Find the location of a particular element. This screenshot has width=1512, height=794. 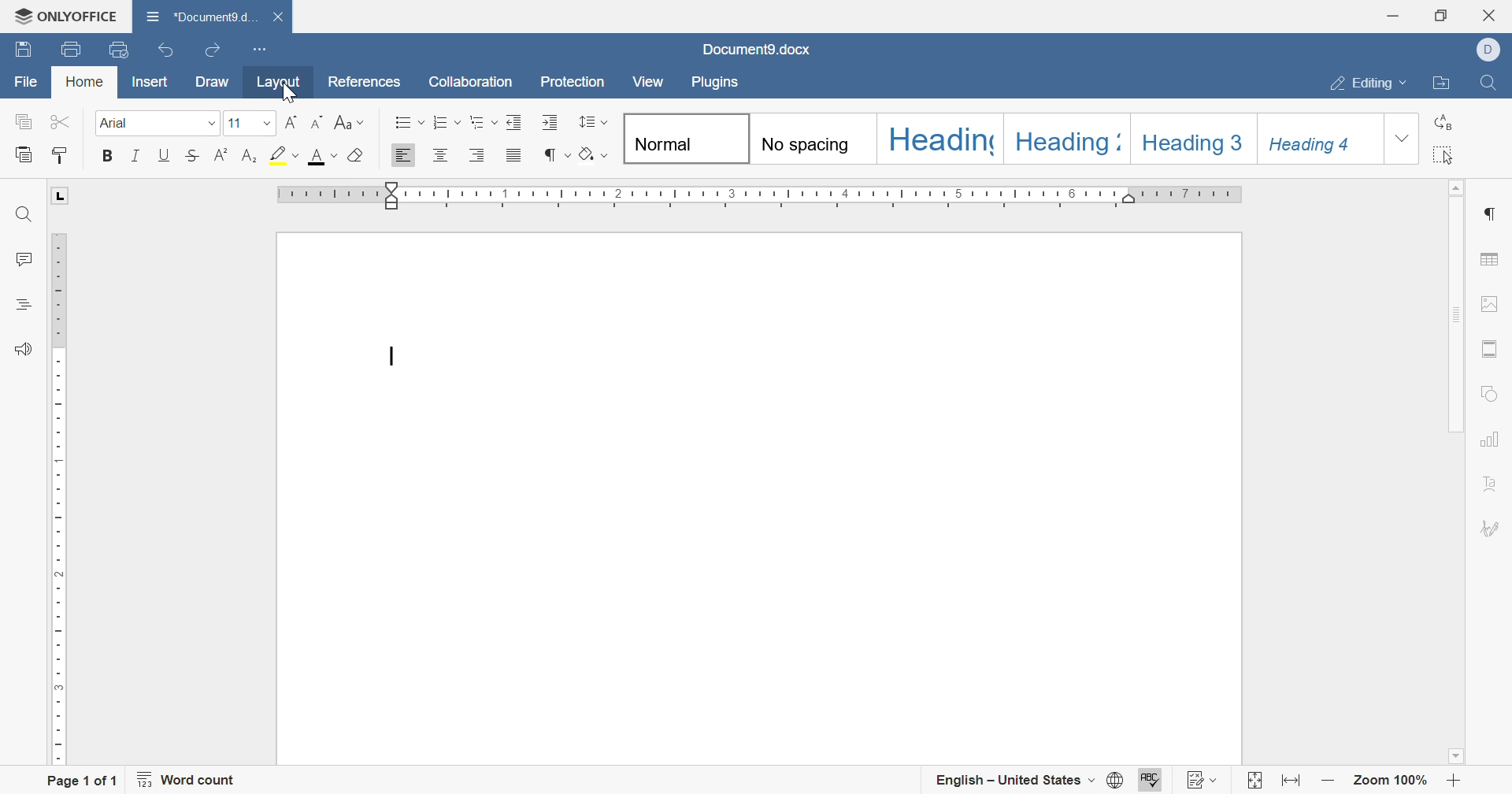

file is located at coordinates (27, 86).